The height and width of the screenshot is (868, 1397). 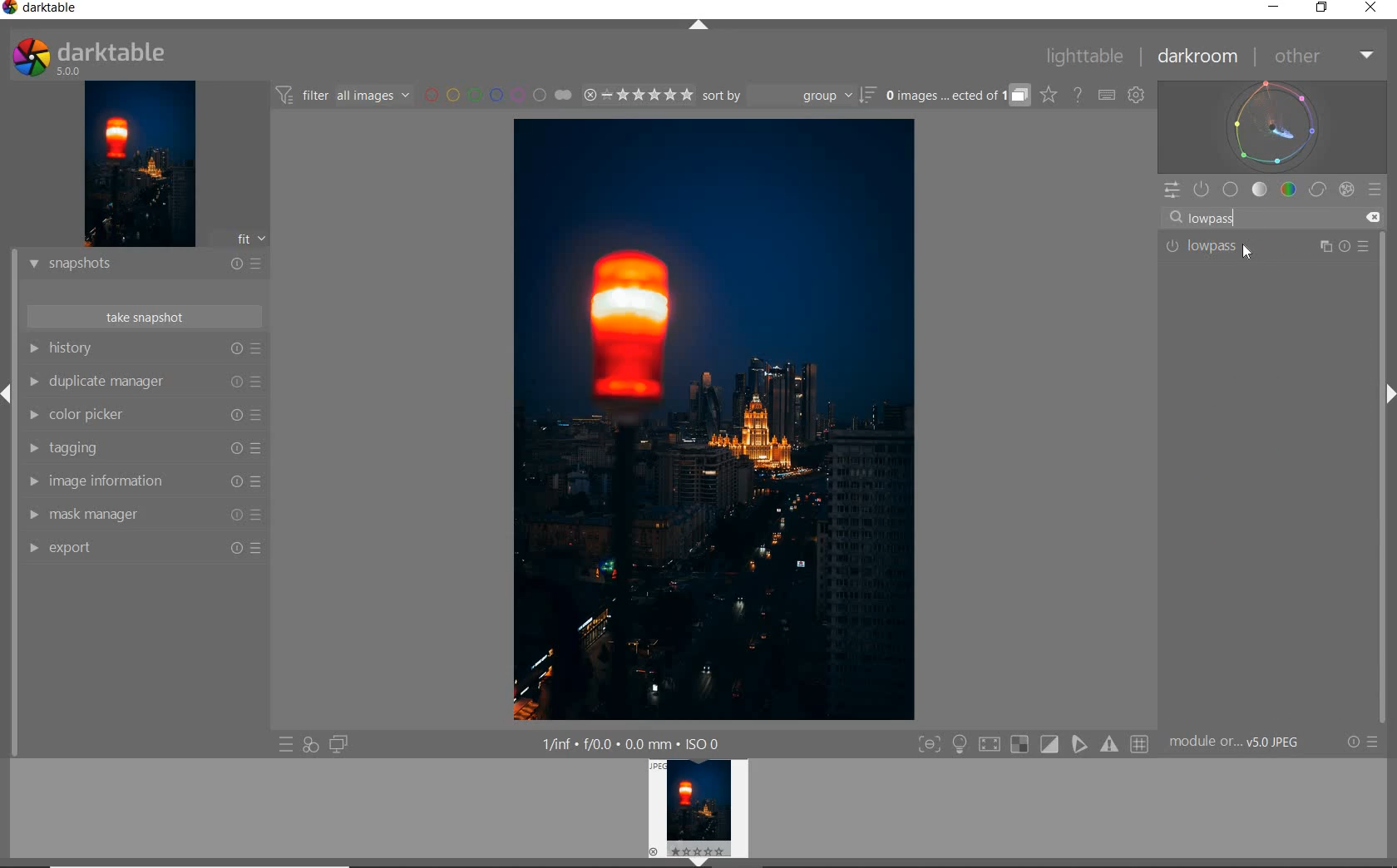 I want to click on DISPLAYED GUI INFO, so click(x=632, y=742).